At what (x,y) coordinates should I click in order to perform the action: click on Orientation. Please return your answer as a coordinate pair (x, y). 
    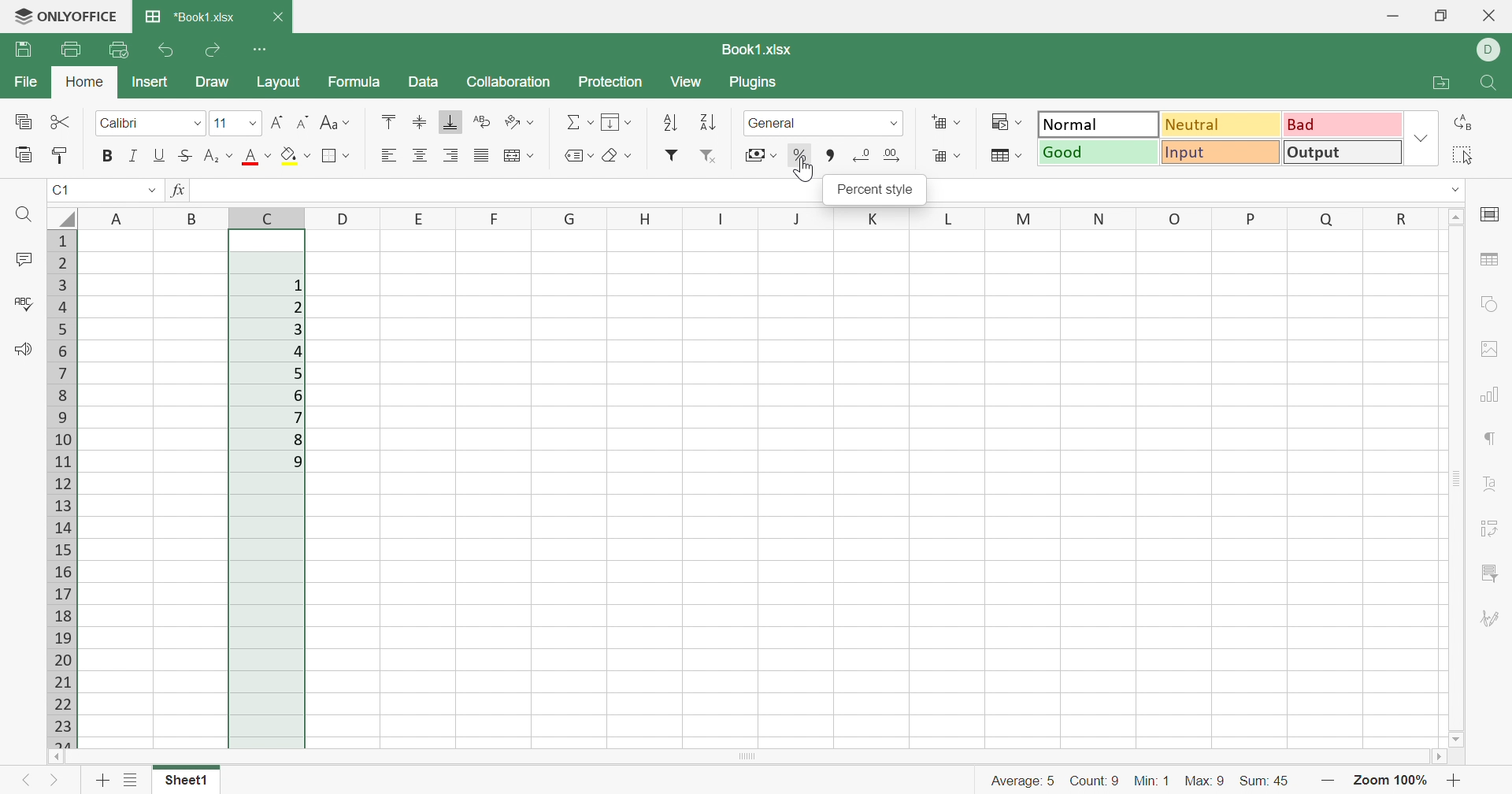
    Looking at the image, I should click on (521, 123).